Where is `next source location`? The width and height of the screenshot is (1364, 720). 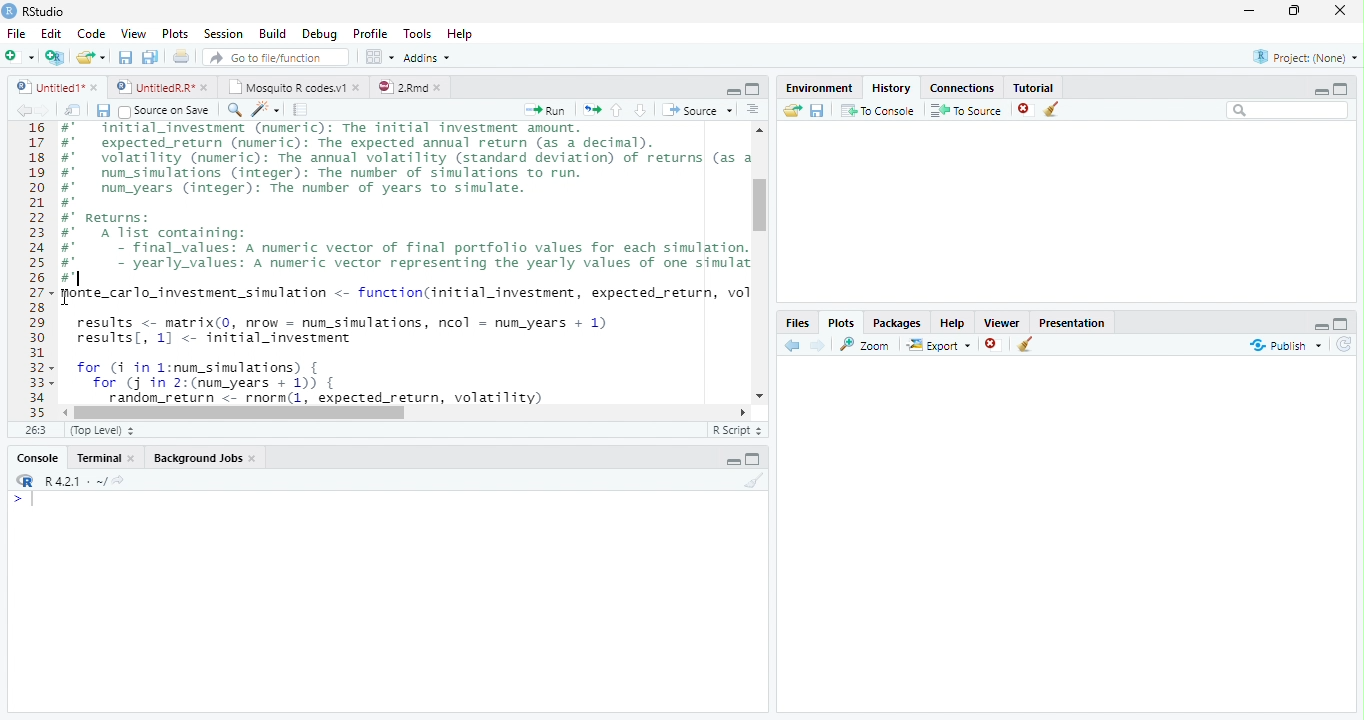 next source location is located at coordinates (44, 110).